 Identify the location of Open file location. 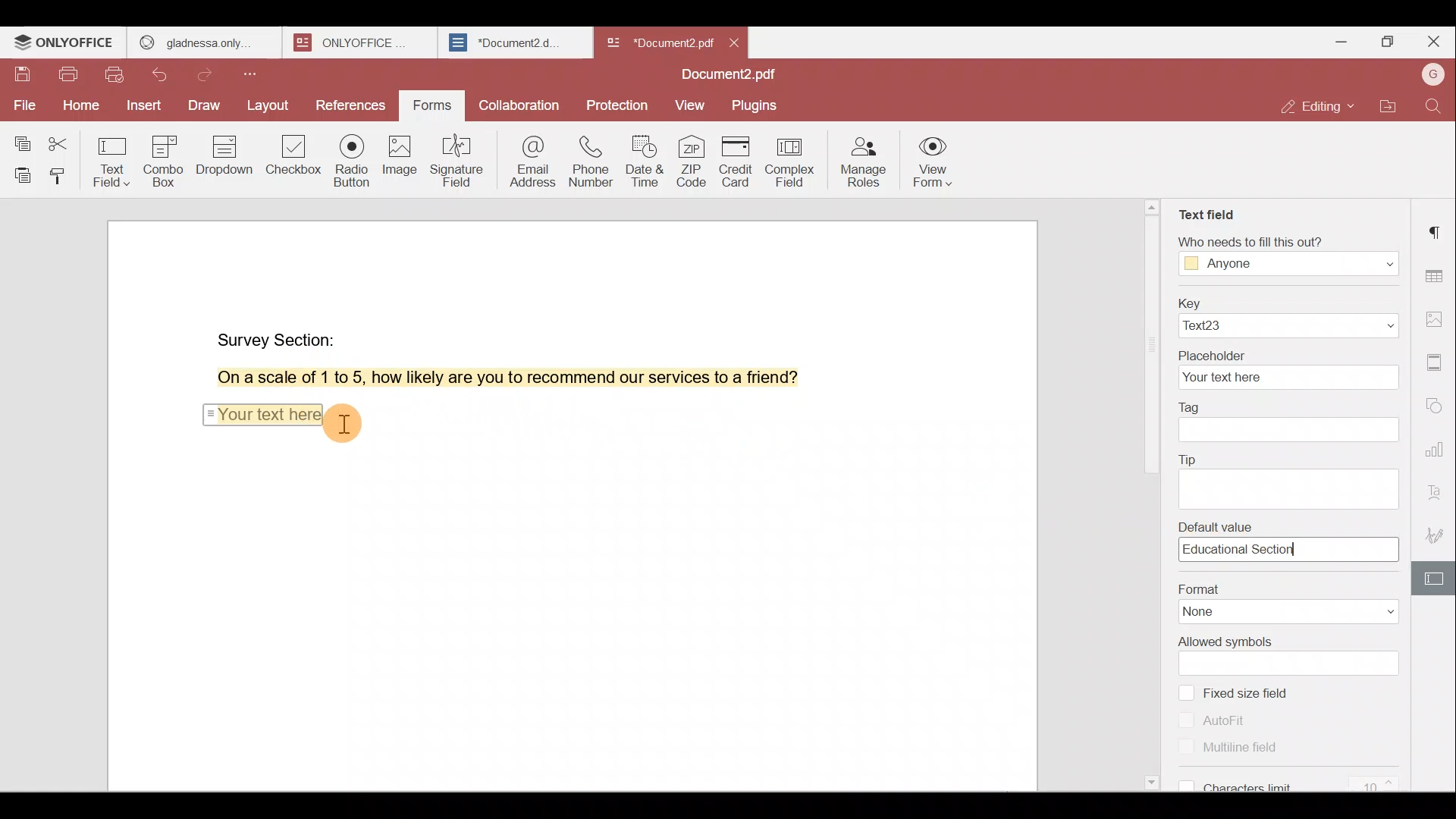
(1389, 108).